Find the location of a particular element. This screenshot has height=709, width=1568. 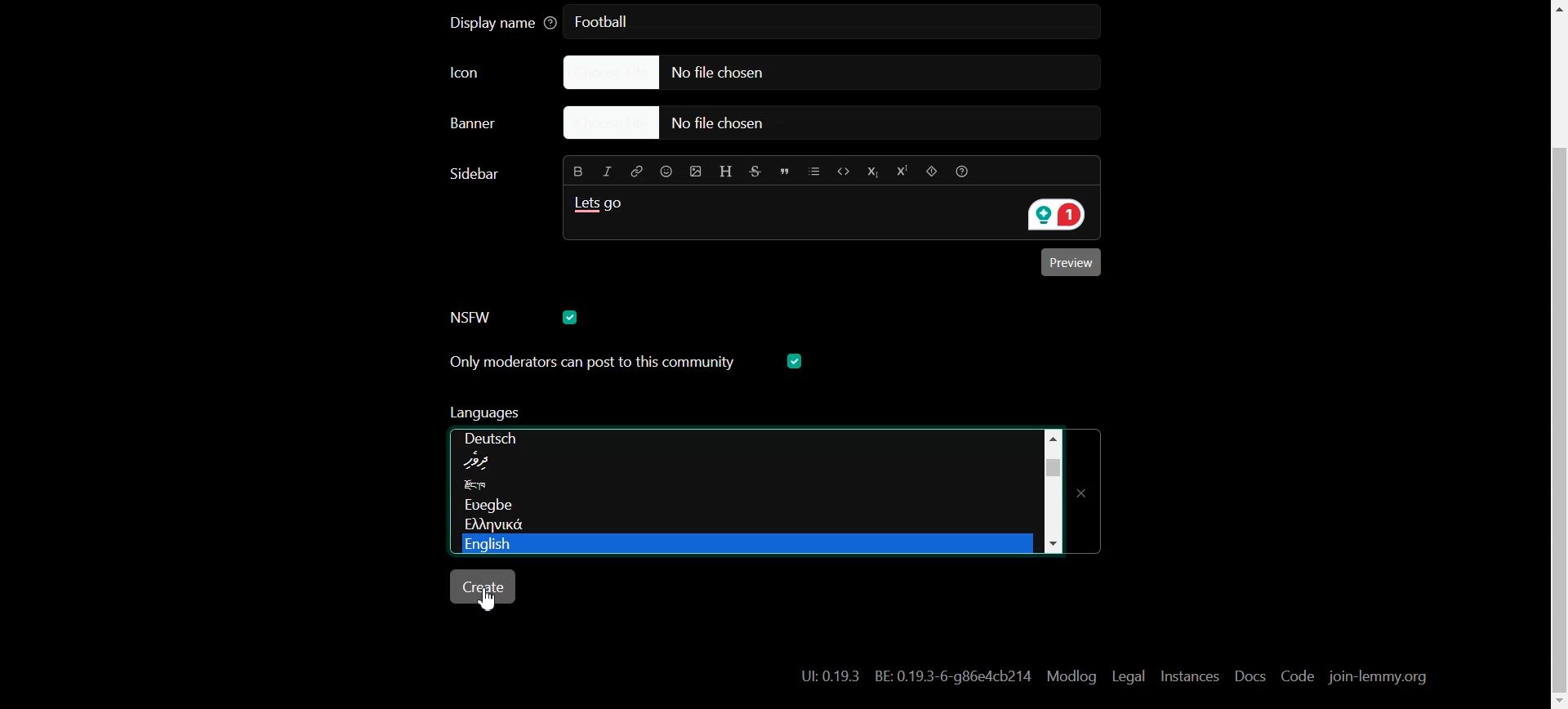

Text is located at coordinates (608, 23).